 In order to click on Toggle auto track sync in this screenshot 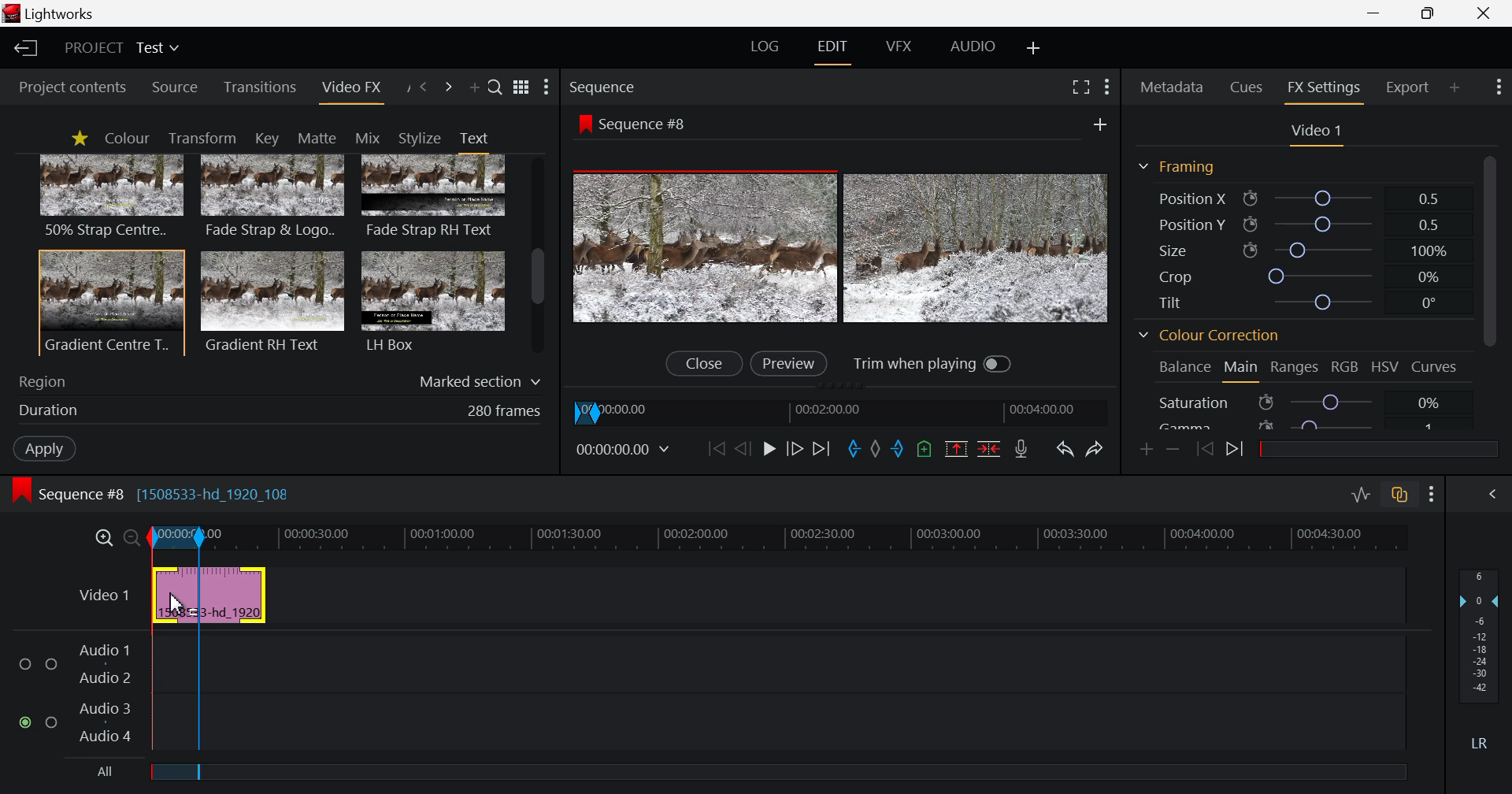, I will do `click(1402, 497)`.